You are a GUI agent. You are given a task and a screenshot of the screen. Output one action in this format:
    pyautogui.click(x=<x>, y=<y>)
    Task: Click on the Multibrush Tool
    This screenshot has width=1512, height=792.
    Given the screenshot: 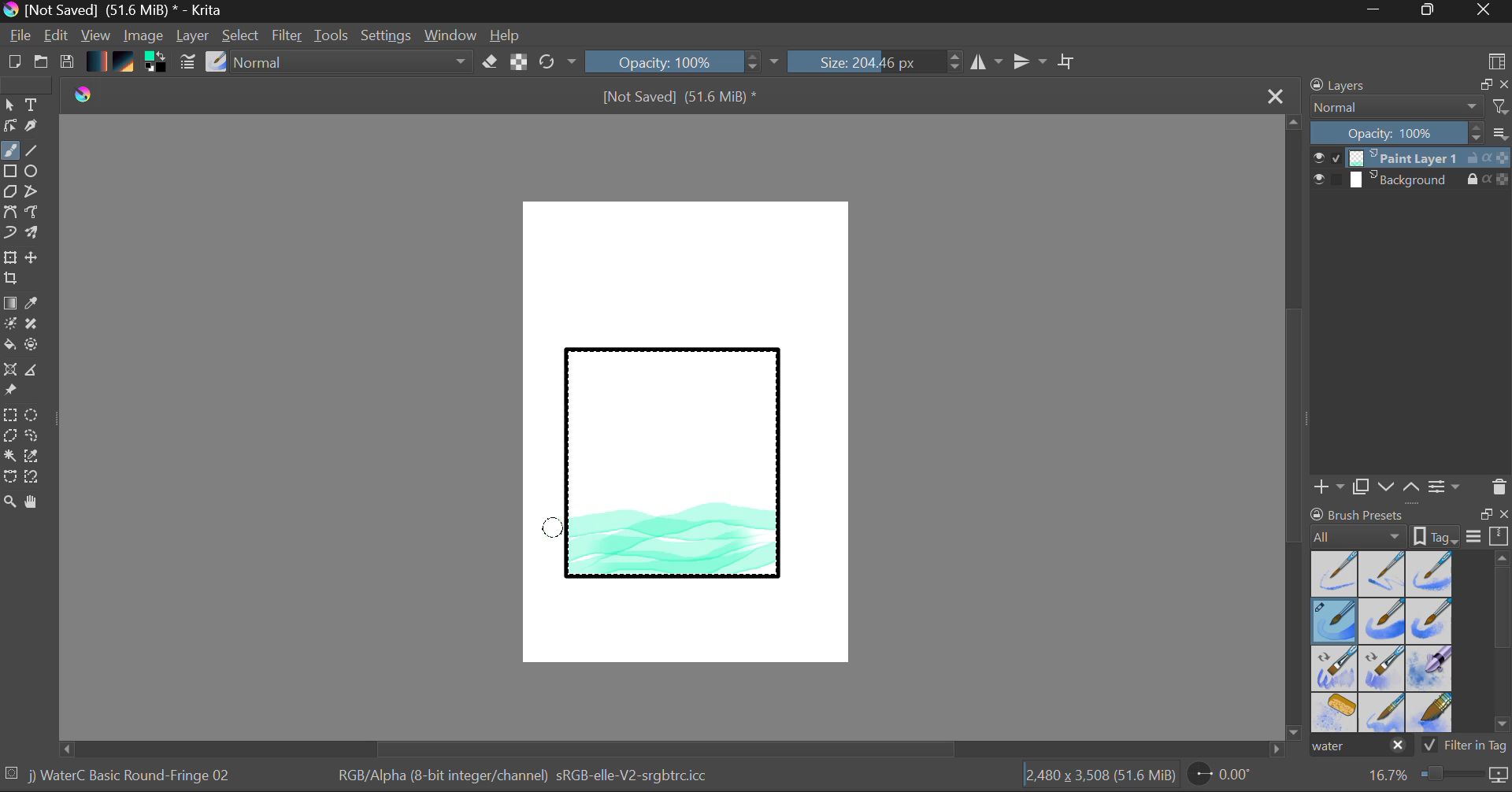 What is the action you would take?
    pyautogui.click(x=33, y=235)
    